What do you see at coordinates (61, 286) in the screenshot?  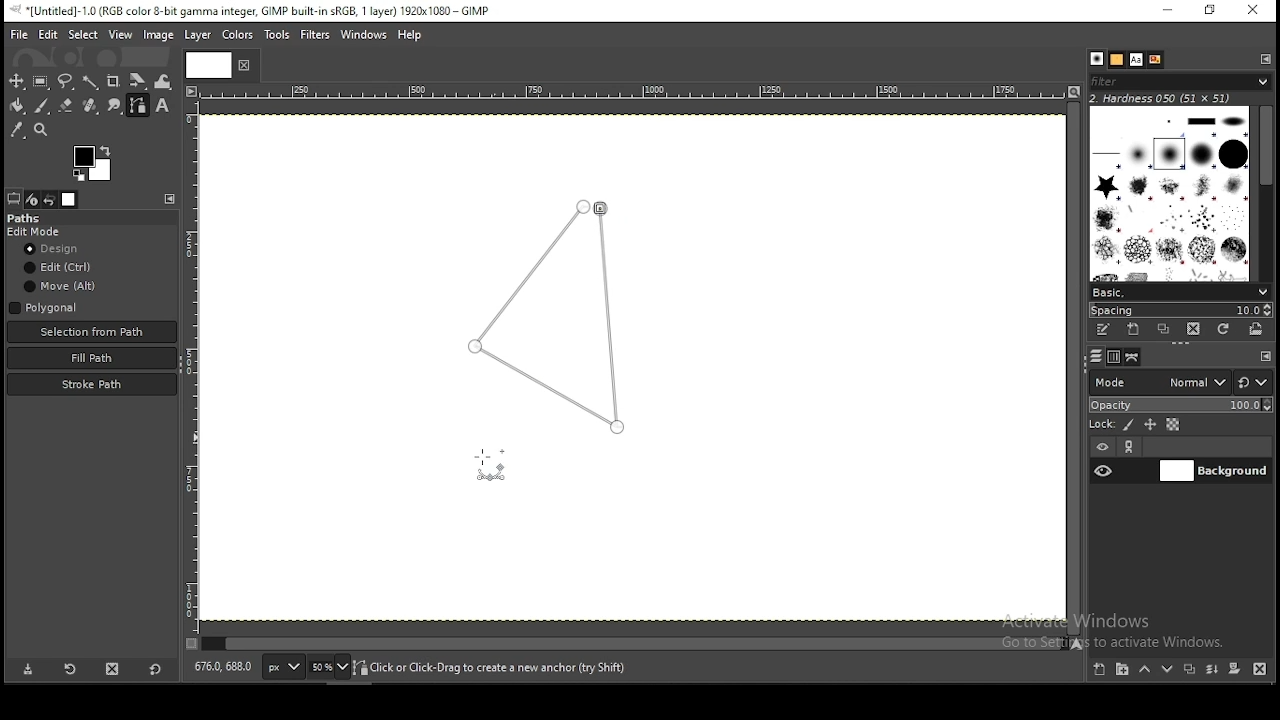 I see `move` at bounding box center [61, 286].